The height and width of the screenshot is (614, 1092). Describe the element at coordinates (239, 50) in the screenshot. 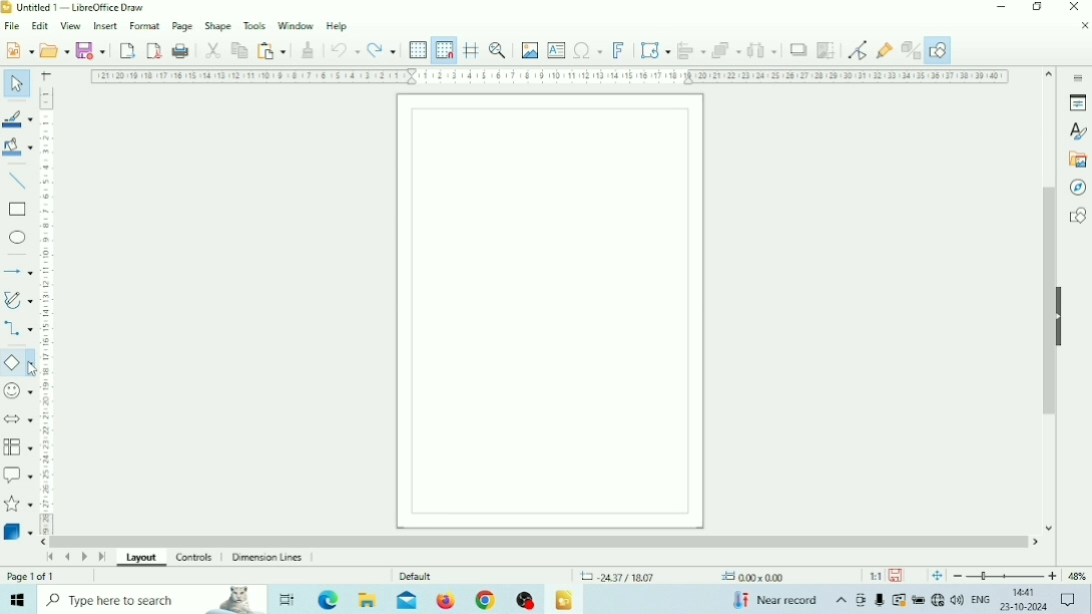

I see `Copy` at that location.